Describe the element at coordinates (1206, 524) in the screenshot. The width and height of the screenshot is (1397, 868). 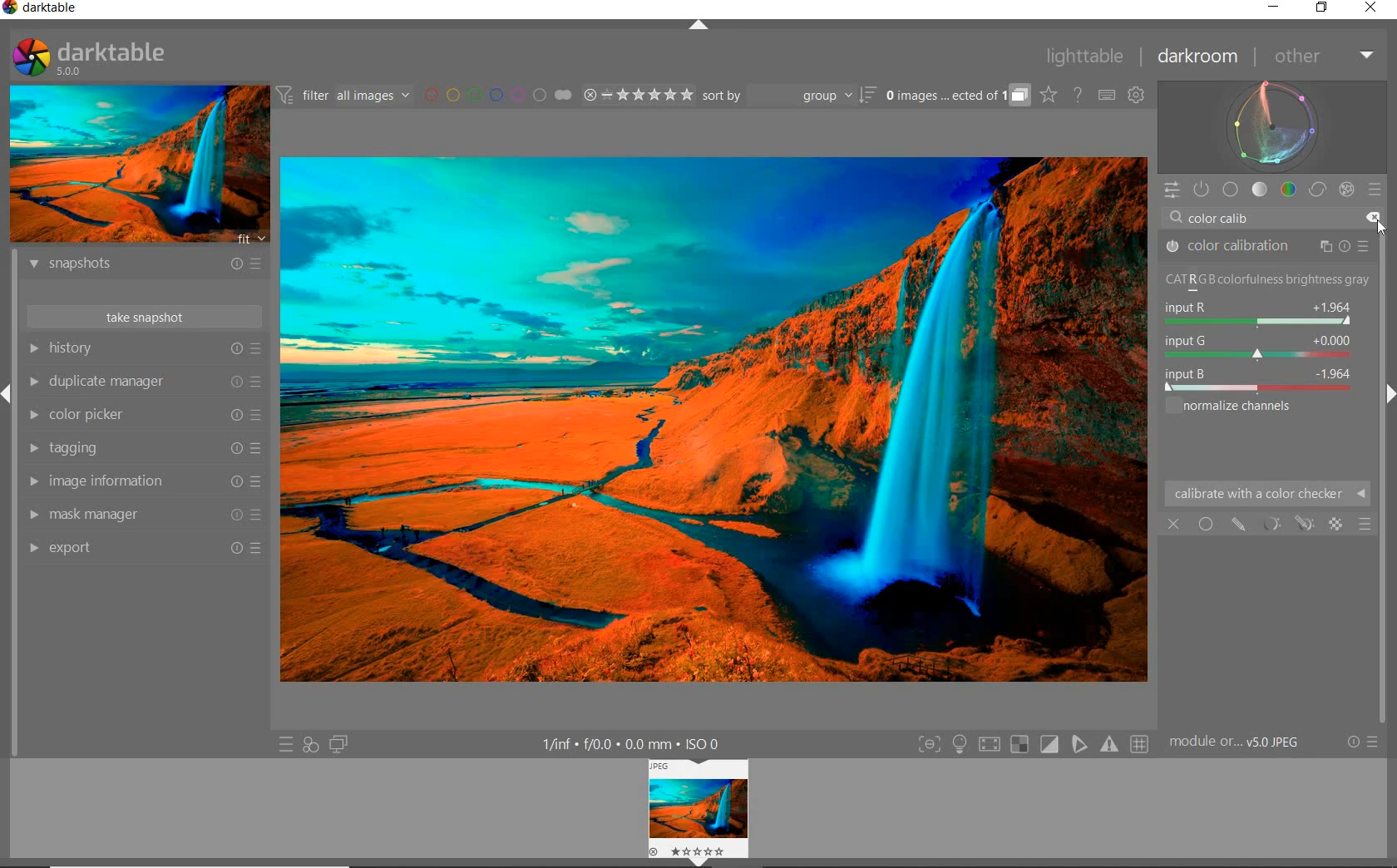
I see `UNIFORMLY` at that location.